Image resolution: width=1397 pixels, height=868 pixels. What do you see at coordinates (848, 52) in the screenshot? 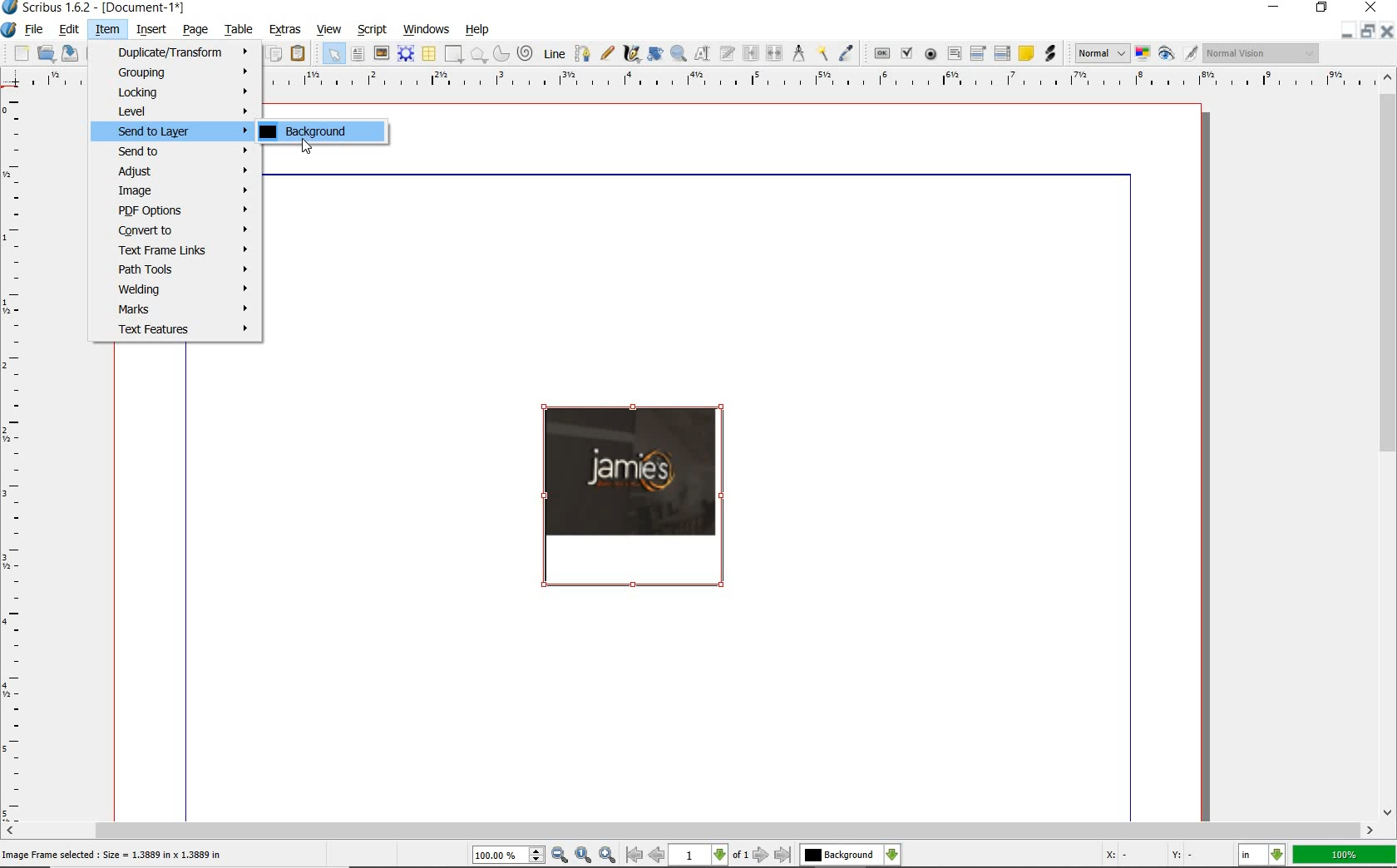
I see `eye dropper` at bounding box center [848, 52].